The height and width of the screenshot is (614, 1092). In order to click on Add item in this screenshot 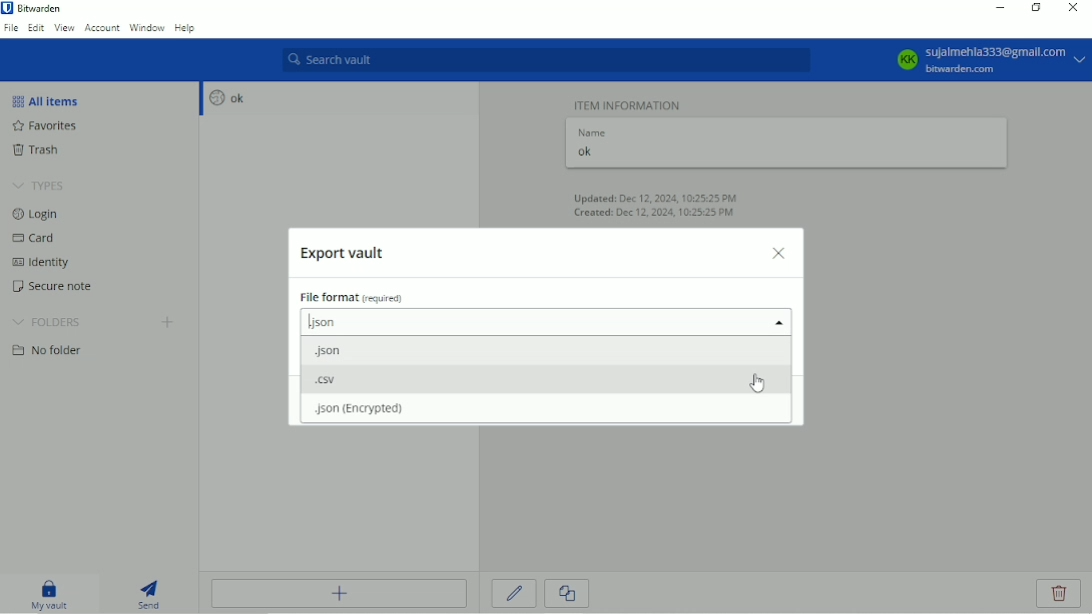, I will do `click(339, 593)`.